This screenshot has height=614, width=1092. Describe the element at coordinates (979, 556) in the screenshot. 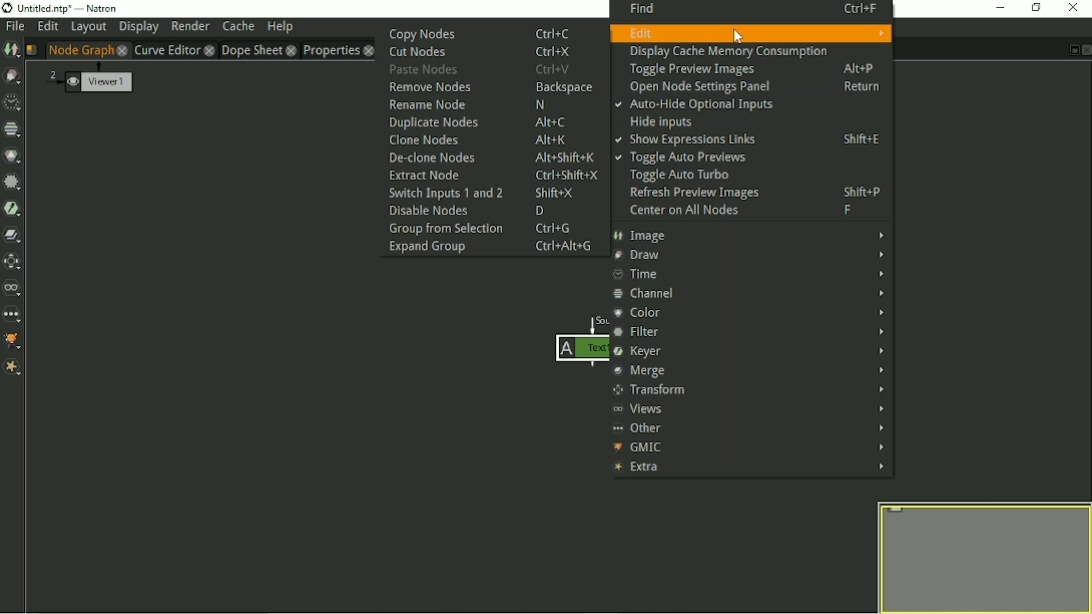

I see `Preview` at that location.